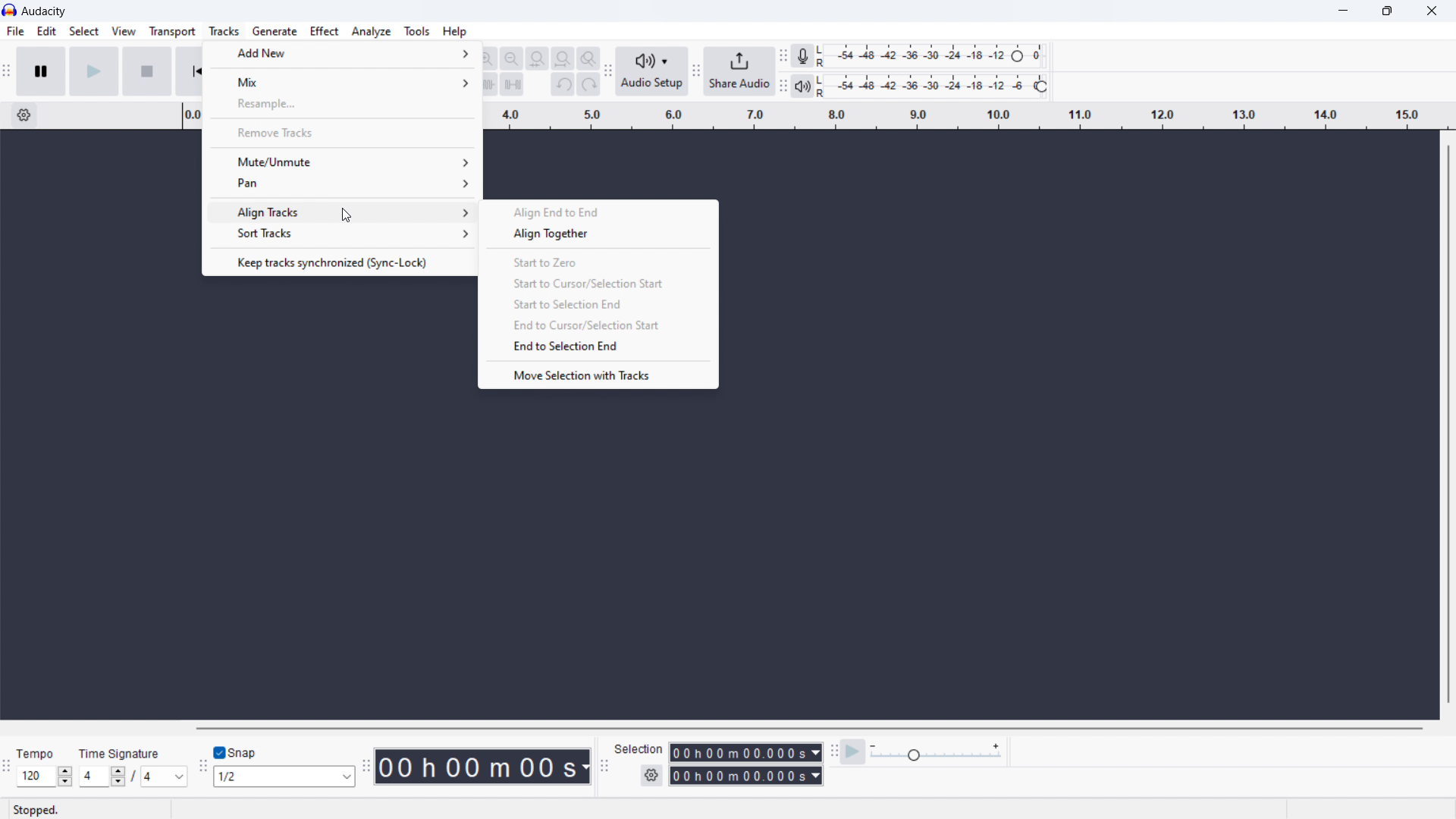 The height and width of the screenshot is (819, 1456). Describe the element at coordinates (1340, 12) in the screenshot. I see `minimize` at that location.